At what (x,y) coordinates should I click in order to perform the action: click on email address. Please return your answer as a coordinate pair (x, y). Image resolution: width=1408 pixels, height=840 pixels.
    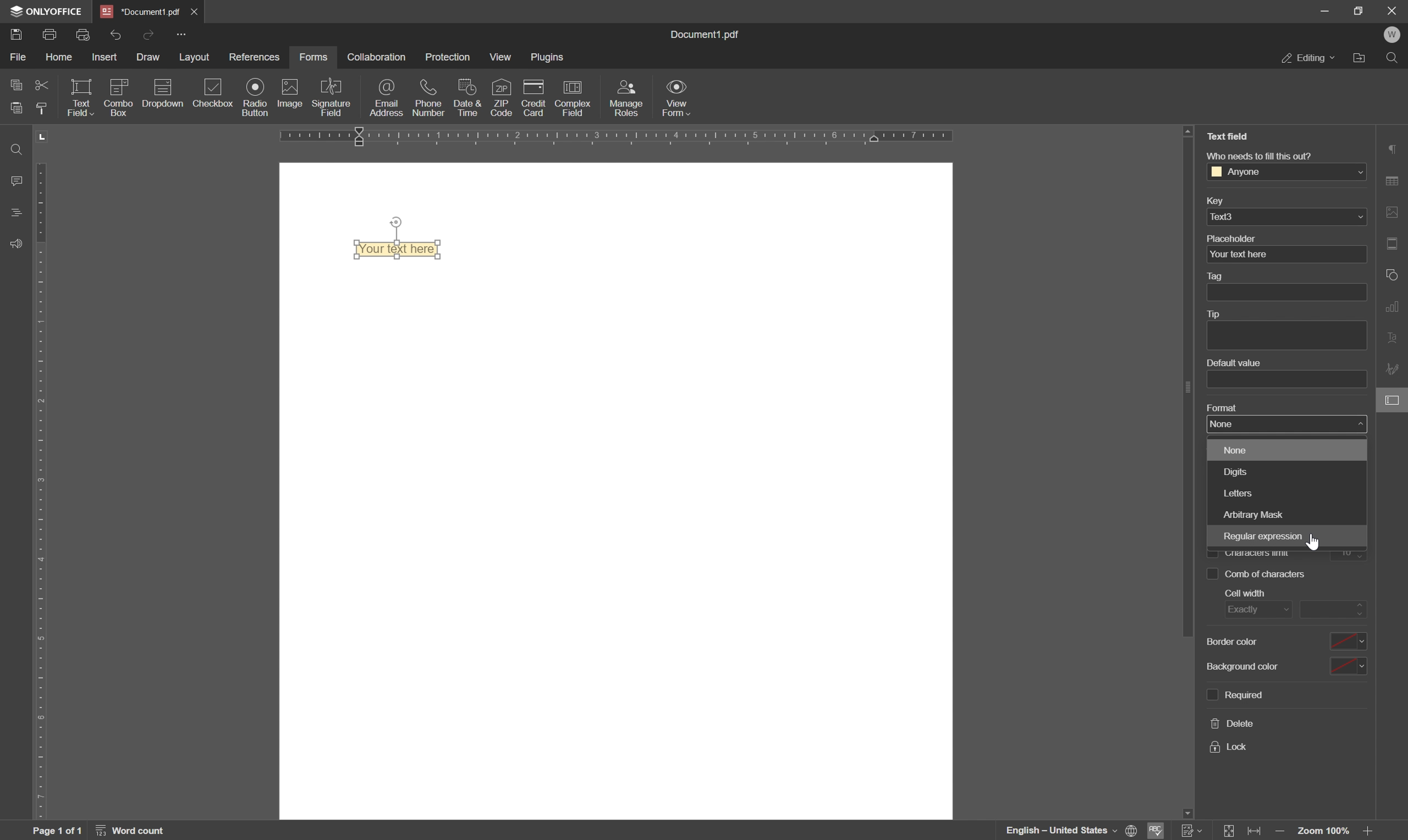
    Looking at the image, I should click on (389, 99).